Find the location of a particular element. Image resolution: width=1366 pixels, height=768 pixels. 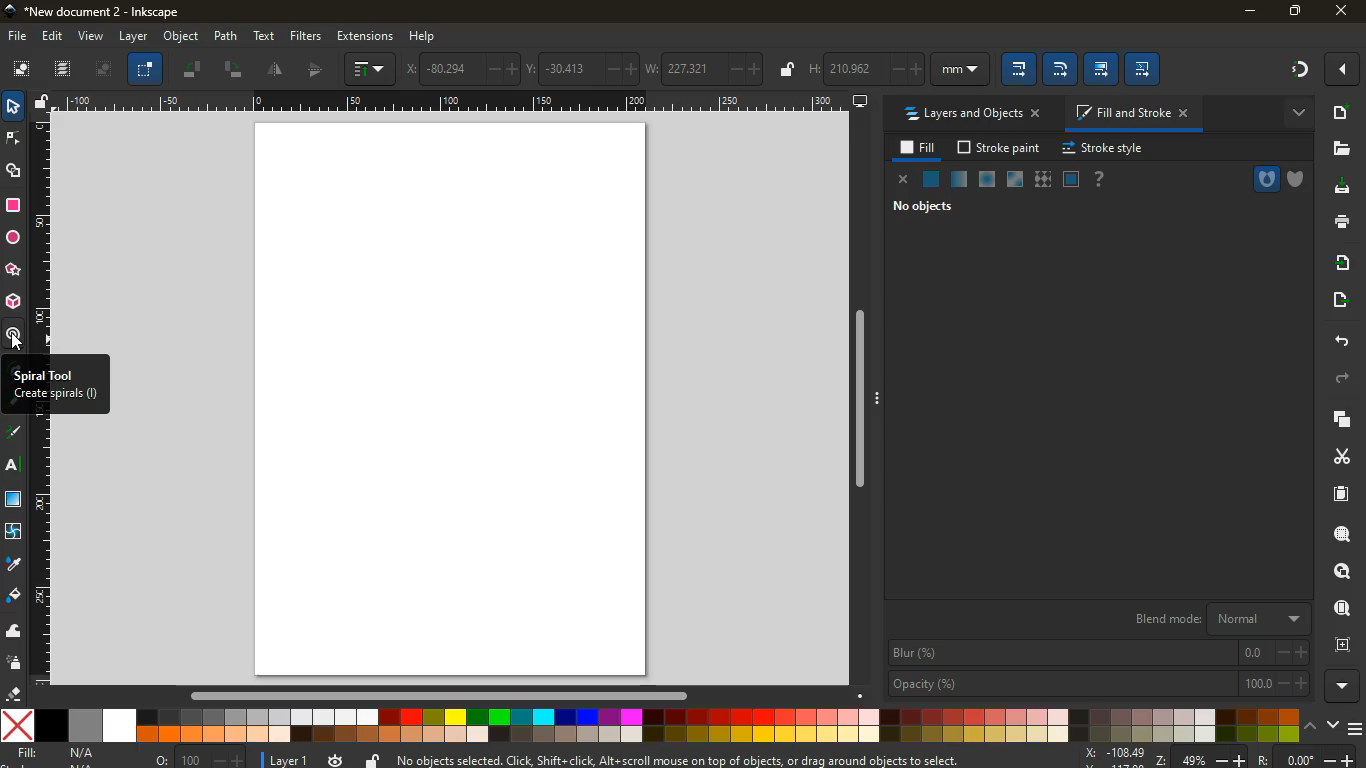

spiral is located at coordinates (13, 334).